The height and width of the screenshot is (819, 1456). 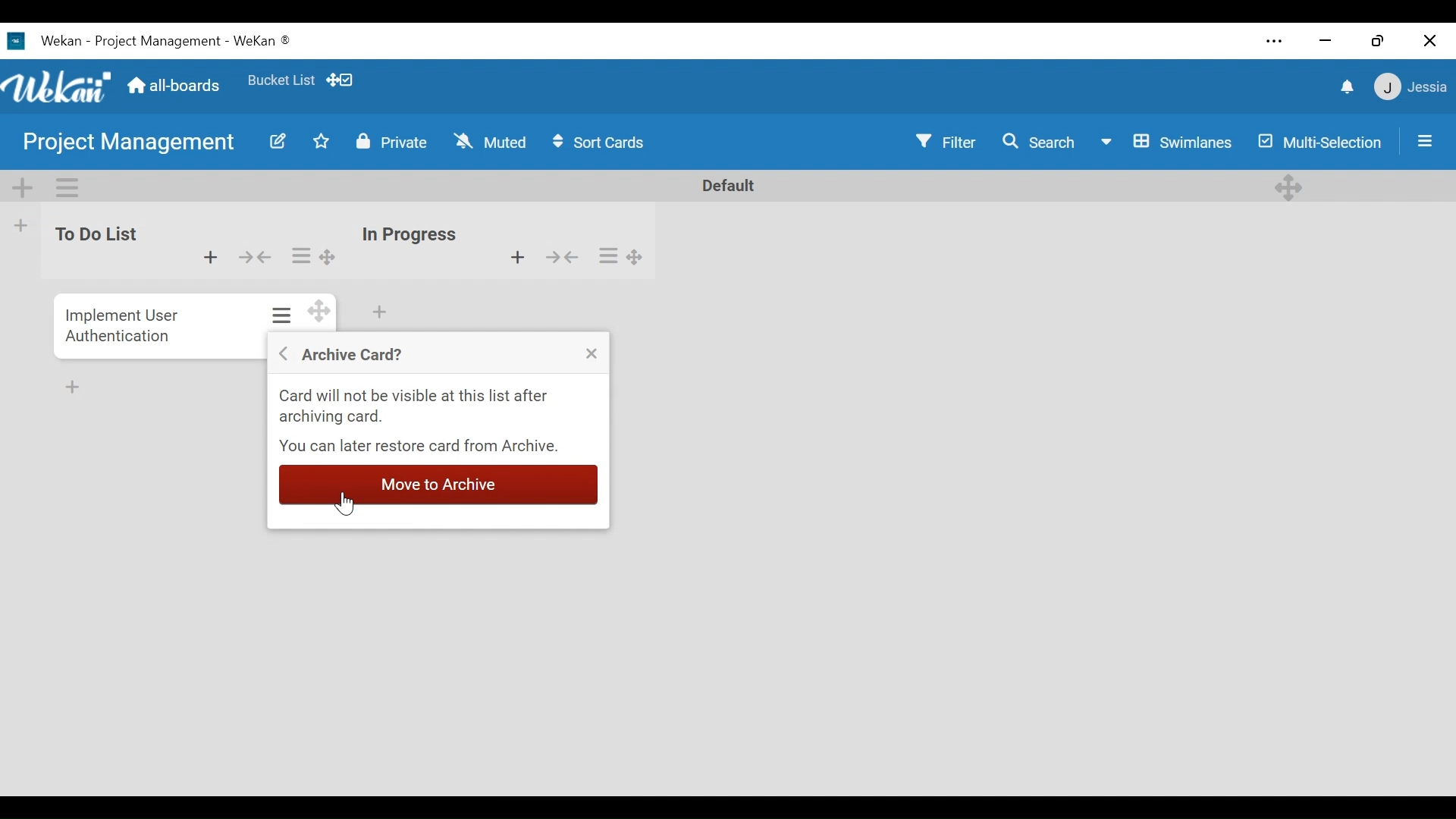 I want to click on Wekan Icon, so click(x=61, y=86).